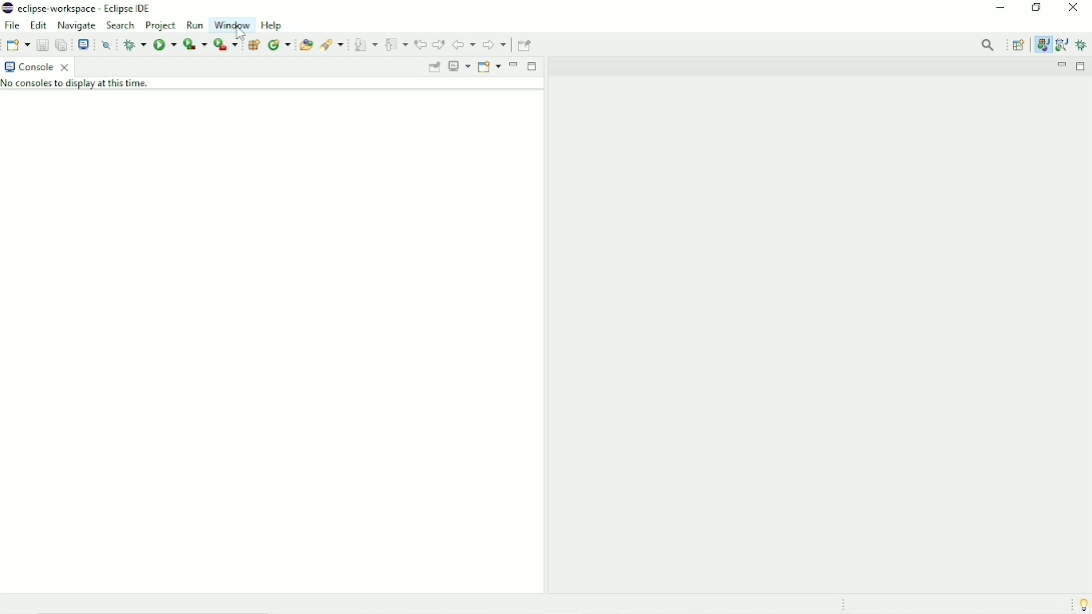 The width and height of the screenshot is (1092, 614). Describe the element at coordinates (83, 43) in the screenshot. I see `Open a terminal` at that location.